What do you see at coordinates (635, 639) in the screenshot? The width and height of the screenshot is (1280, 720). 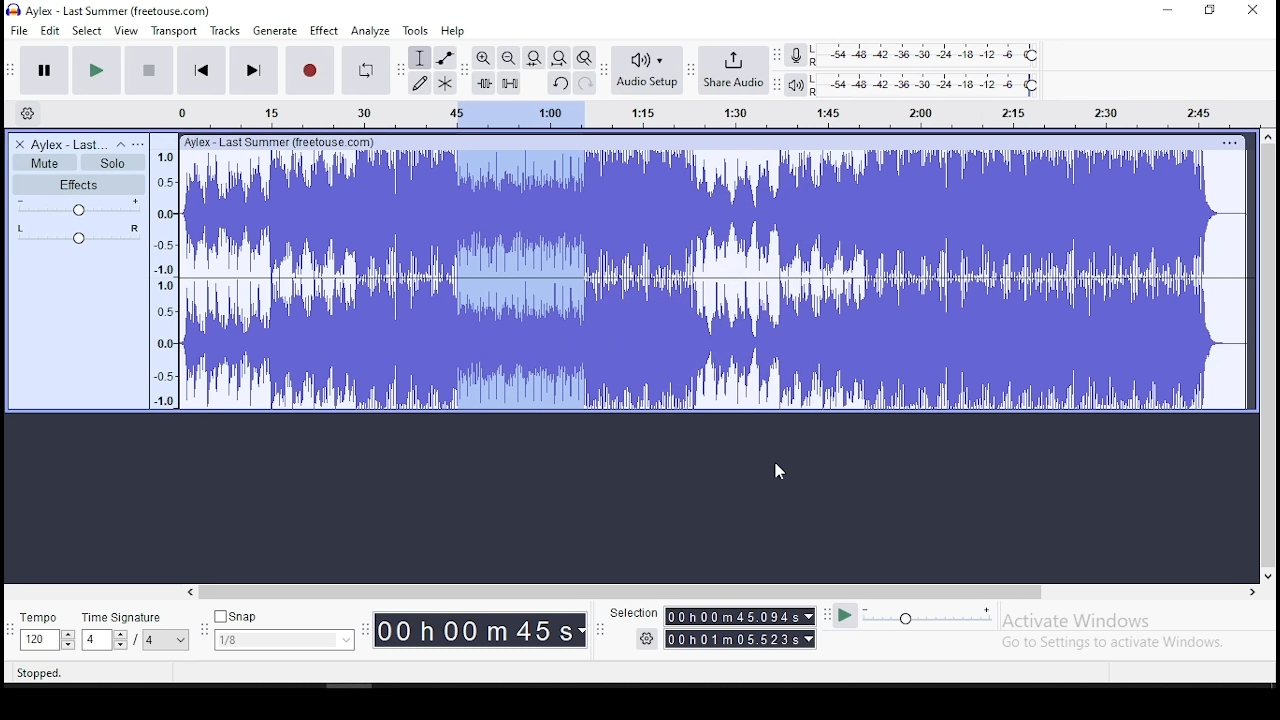 I see `settings` at bounding box center [635, 639].